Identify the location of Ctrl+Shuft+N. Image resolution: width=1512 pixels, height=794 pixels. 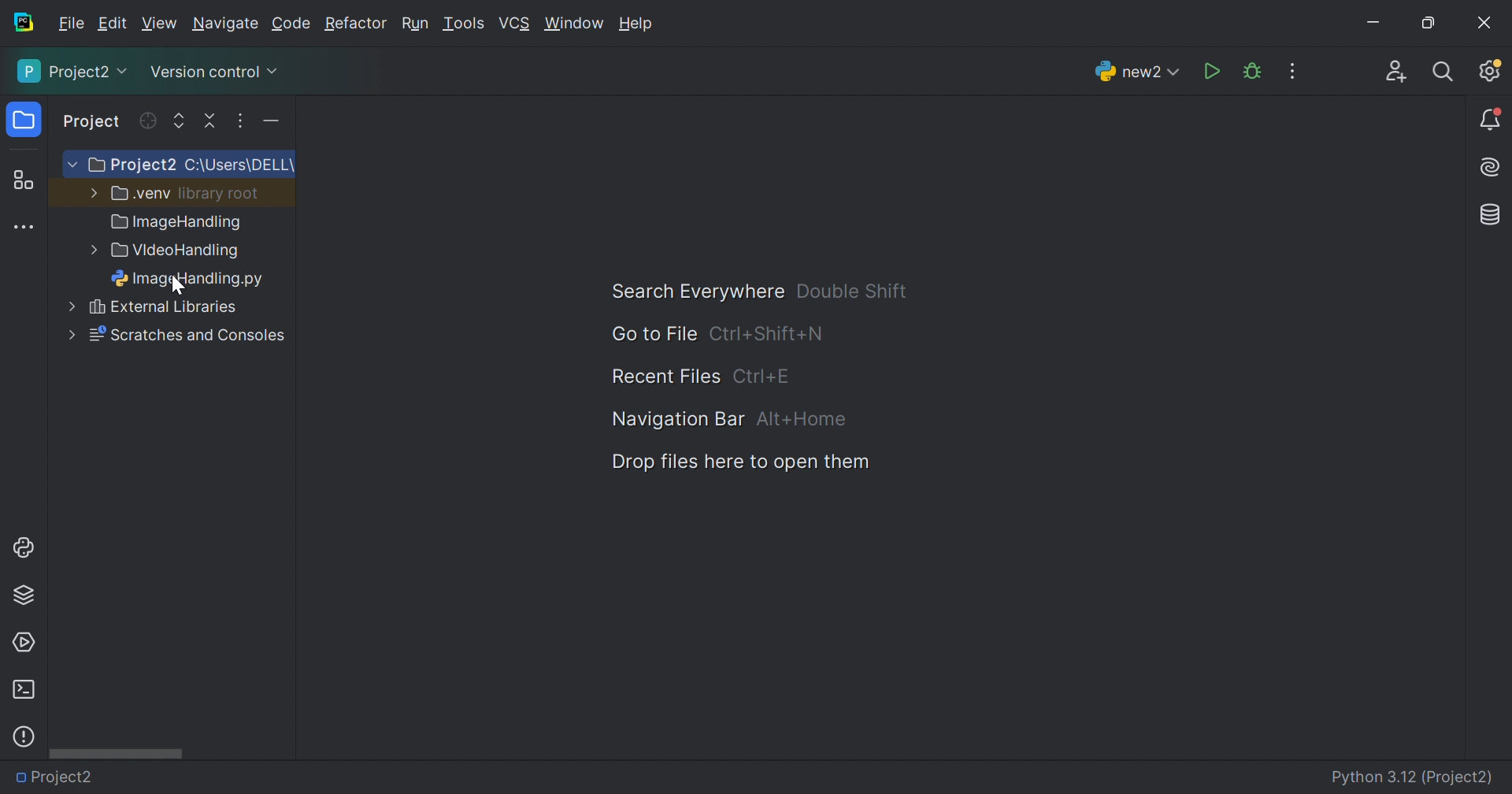
(766, 335).